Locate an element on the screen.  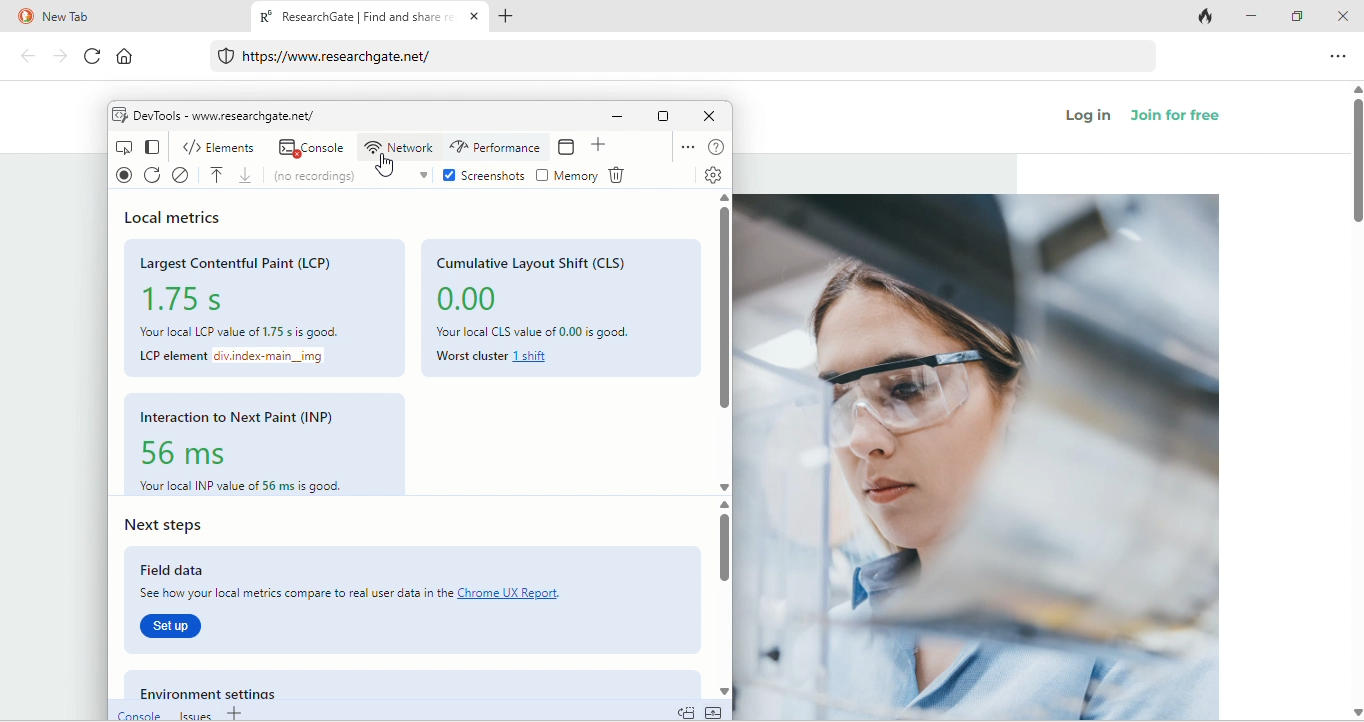
network is located at coordinates (399, 148).